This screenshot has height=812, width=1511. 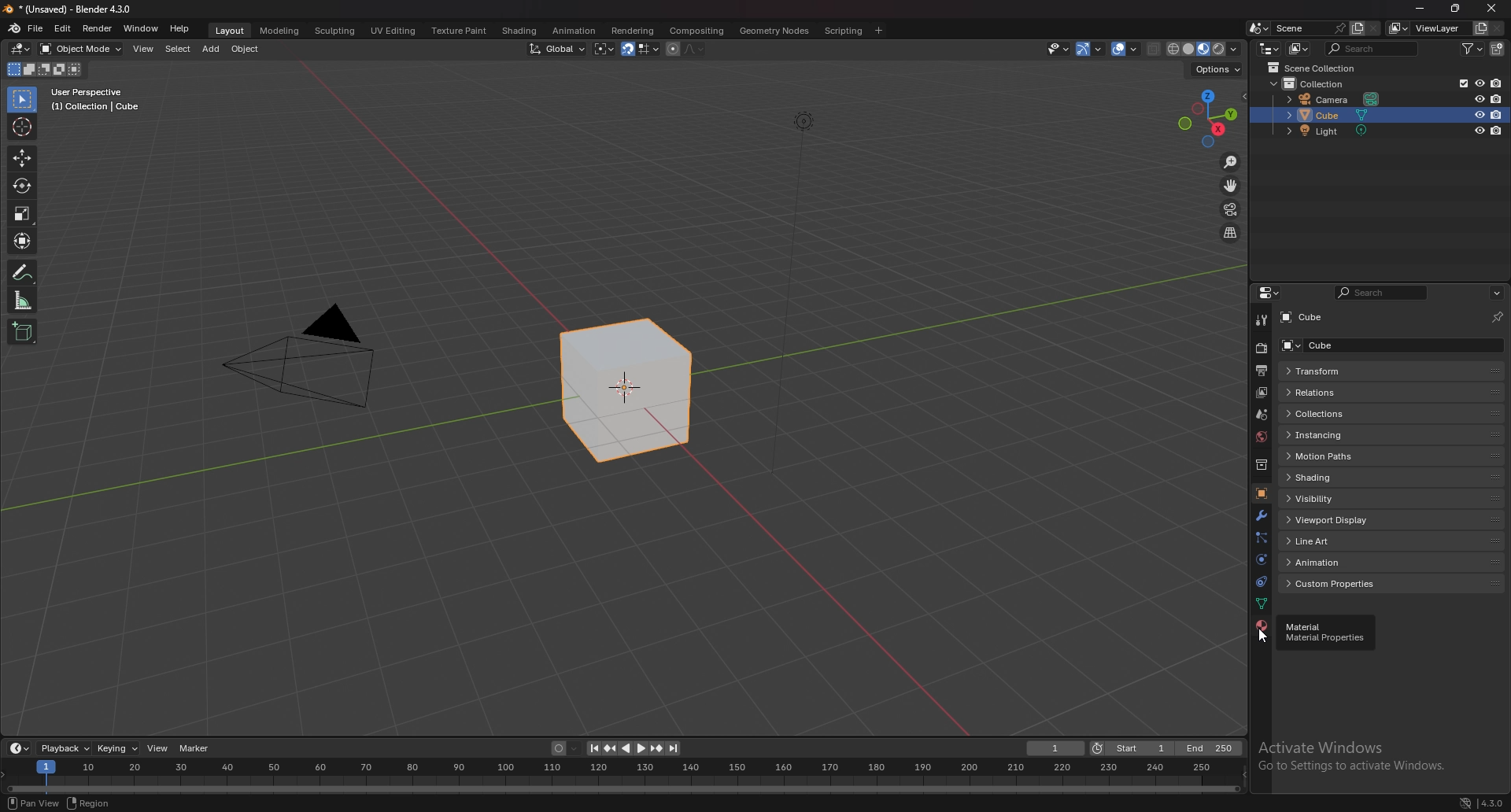 What do you see at coordinates (1391, 456) in the screenshot?
I see `motion paths` at bounding box center [1391, 456].